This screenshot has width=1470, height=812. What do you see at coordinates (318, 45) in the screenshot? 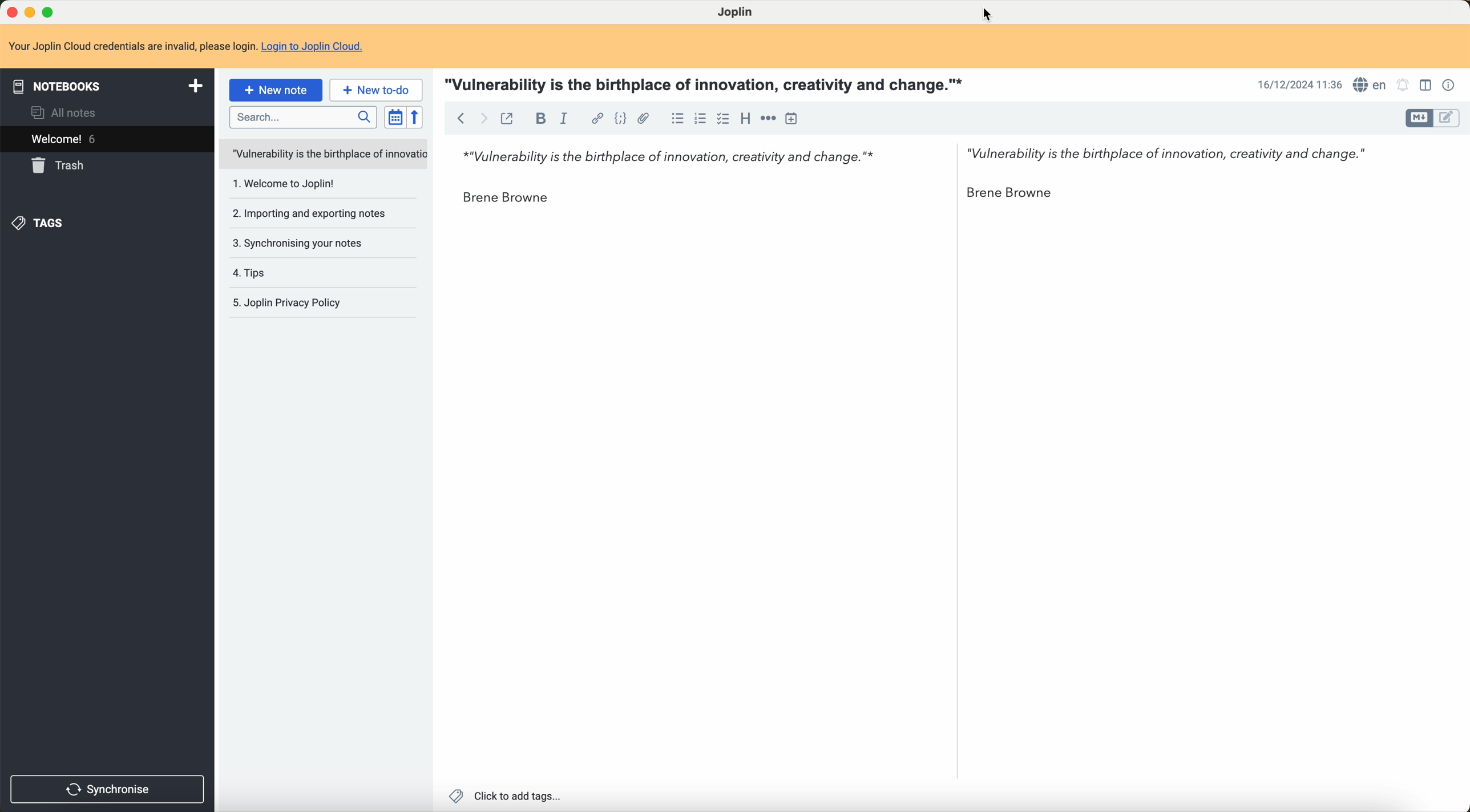
I see `Login to Joplin Cloud.` at bounding box center [318, 45].